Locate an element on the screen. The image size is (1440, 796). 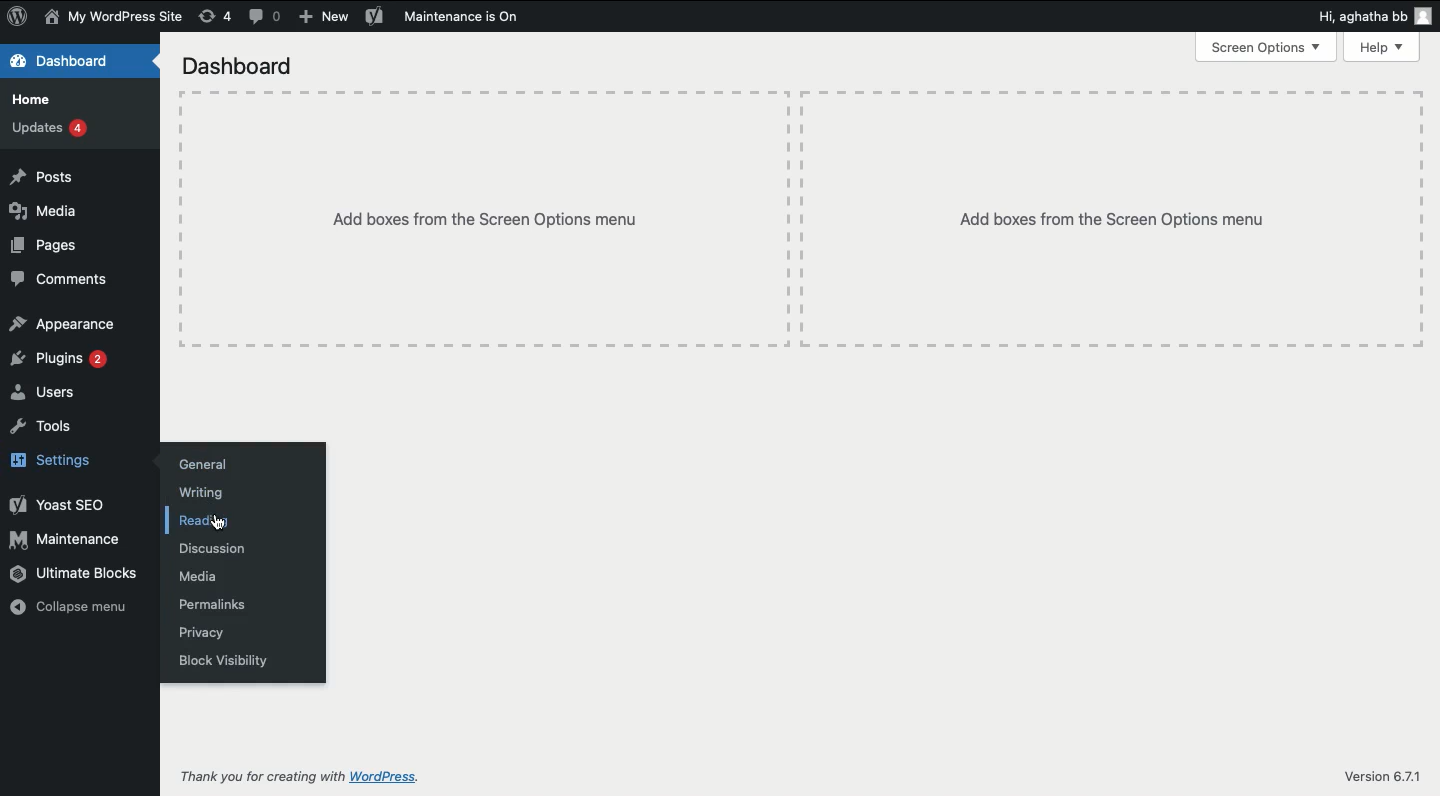
appearance  is located at coordinates (69, 324).